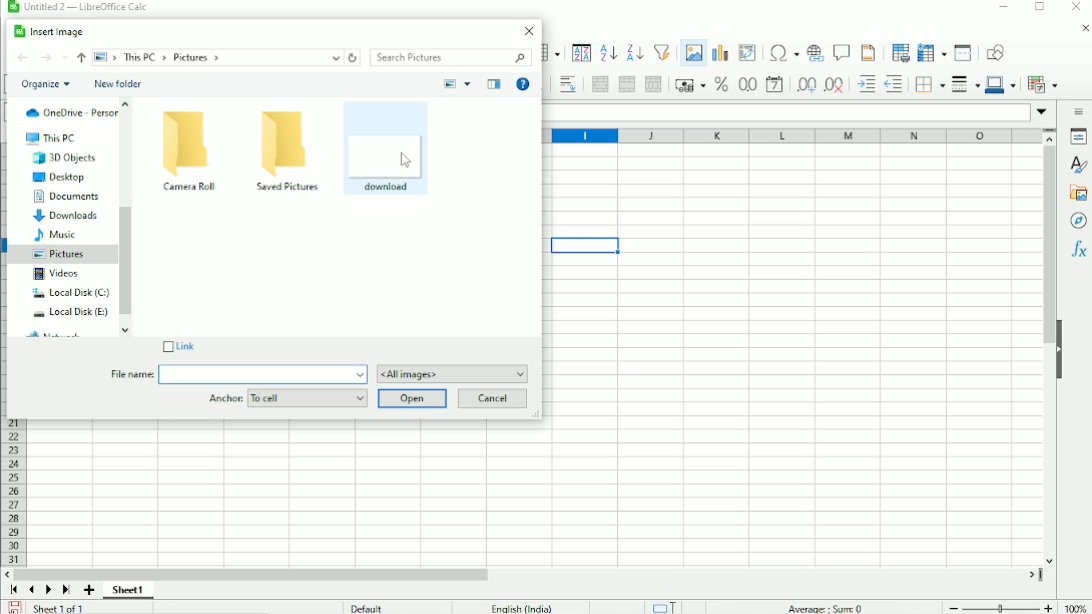 The width and height of the screenshot is (1092, 614). Describe the element at coordinates (929, 86) in the screenshot. I see `Borders` at that location.